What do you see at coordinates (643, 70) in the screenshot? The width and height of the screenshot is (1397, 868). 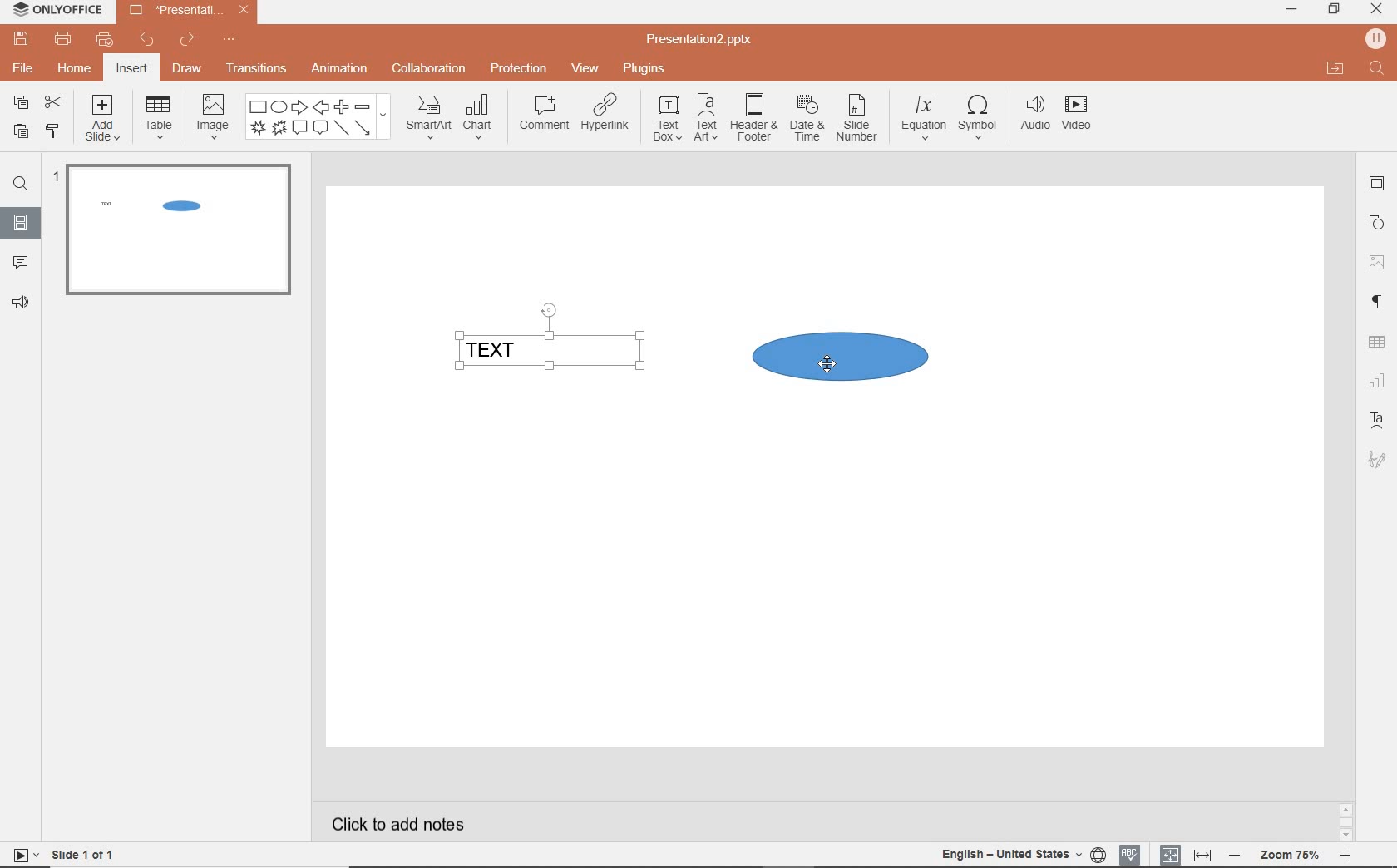 I see `plugins` at bounding box center [643, 70].